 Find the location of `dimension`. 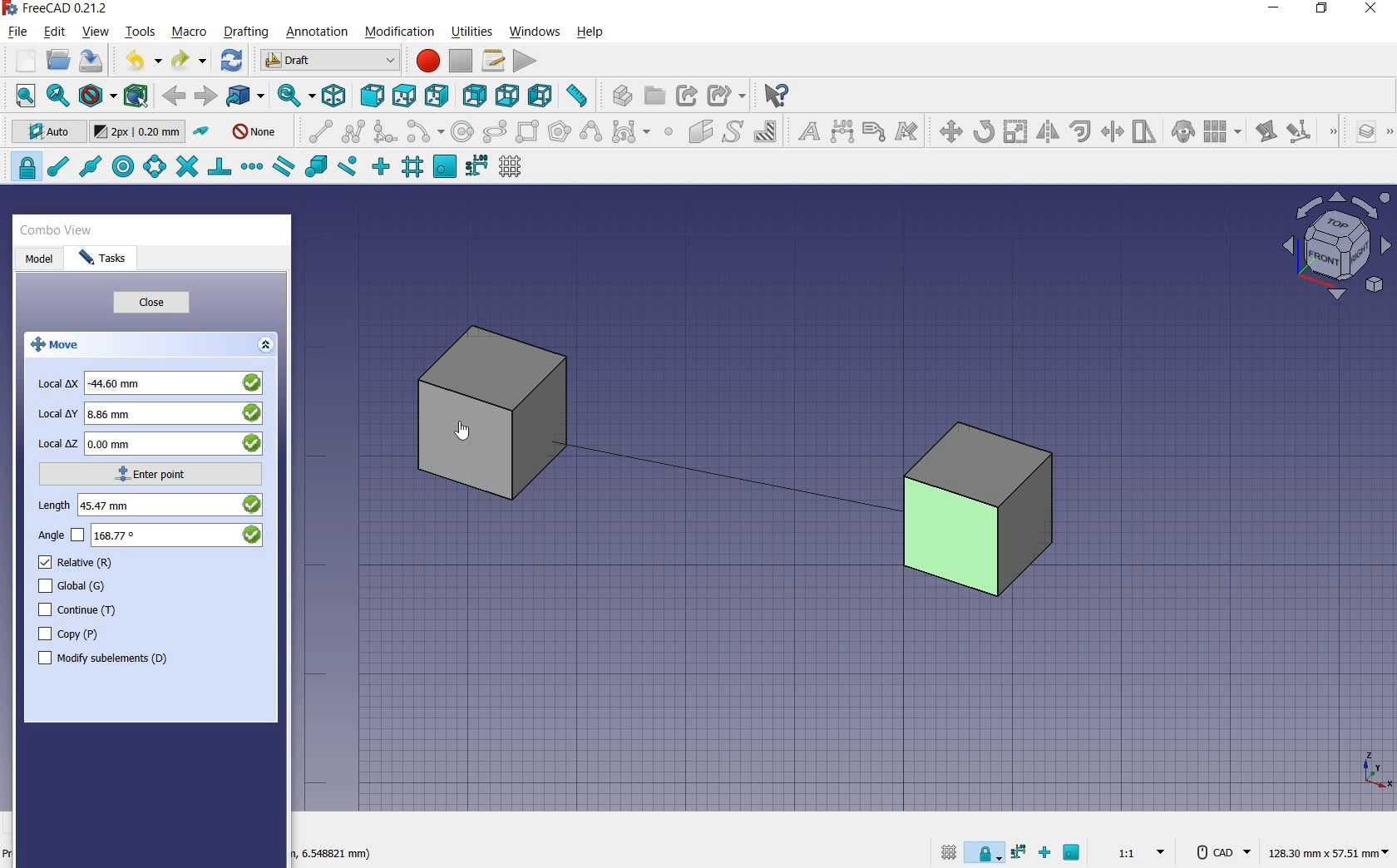

dimension is located at coordinates (1328, 851).